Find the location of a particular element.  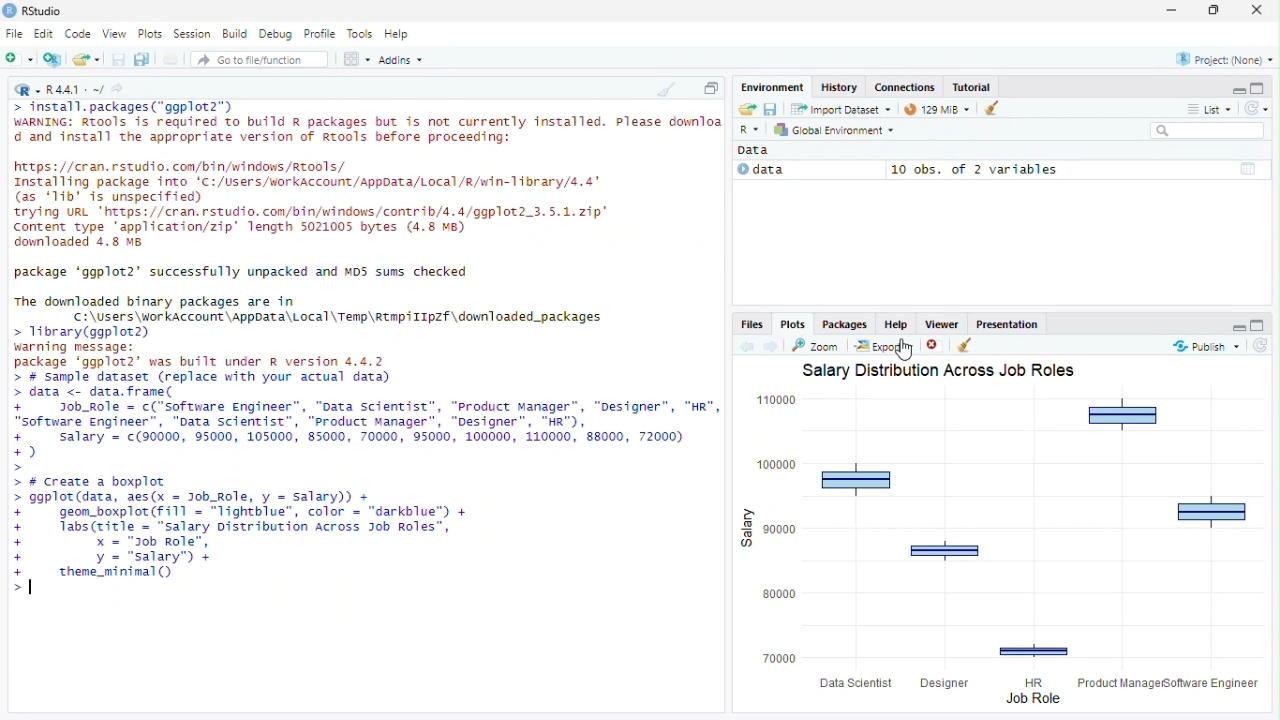

Import dataset is located at coordinates (842, 109).